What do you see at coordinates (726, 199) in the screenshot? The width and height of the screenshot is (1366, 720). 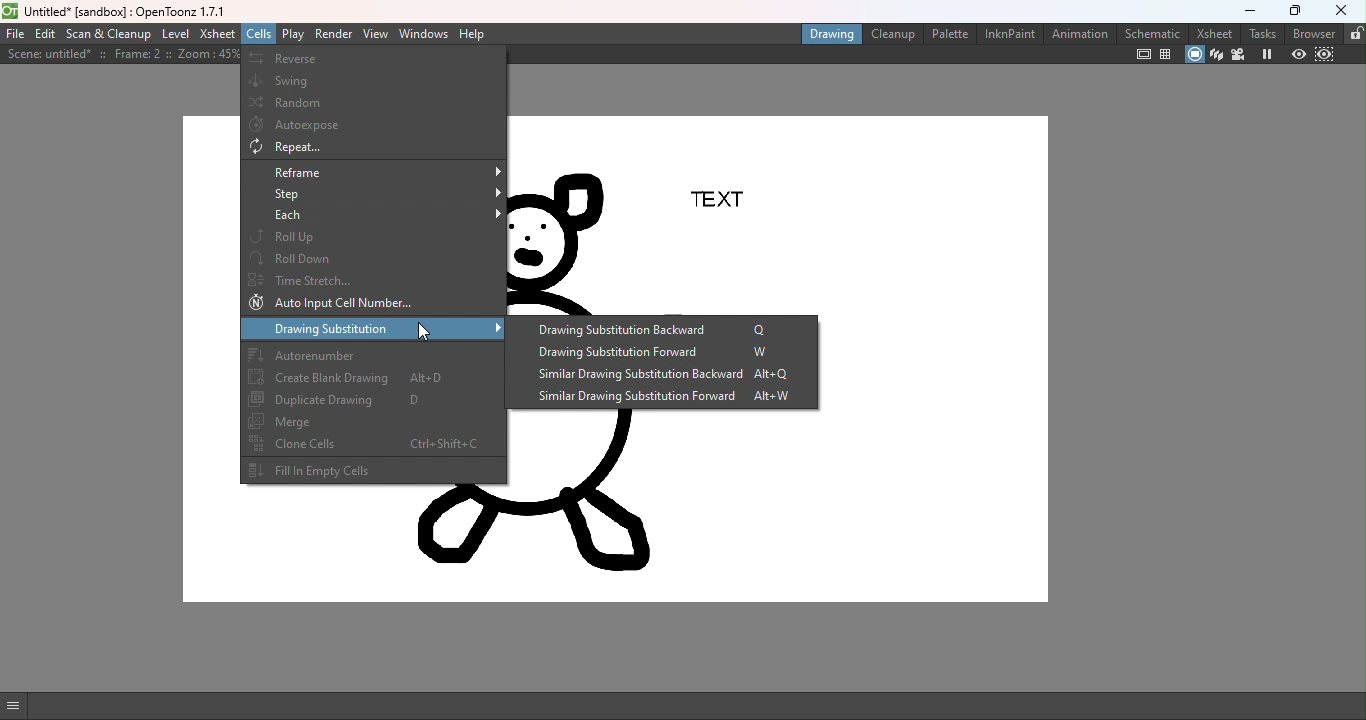 I see `TEXT` at bounding box center [726, 199].